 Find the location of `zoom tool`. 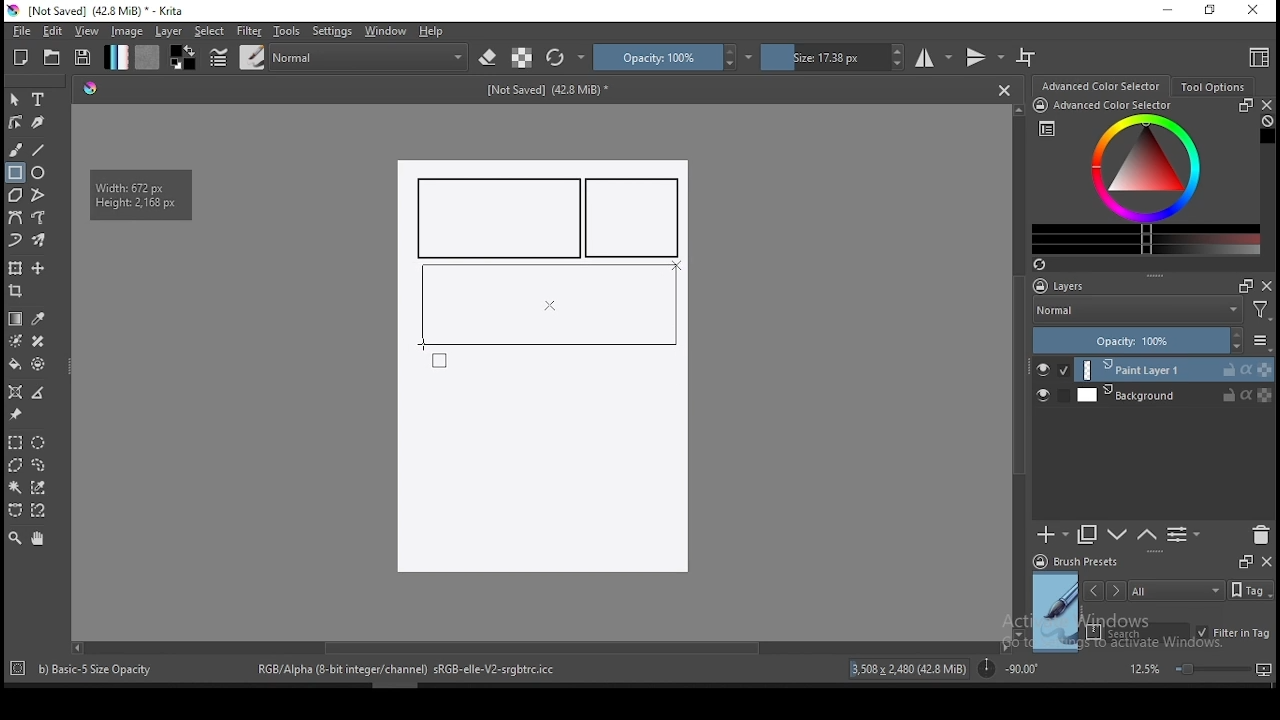

zoom tool is located at coordinates (15, 537).